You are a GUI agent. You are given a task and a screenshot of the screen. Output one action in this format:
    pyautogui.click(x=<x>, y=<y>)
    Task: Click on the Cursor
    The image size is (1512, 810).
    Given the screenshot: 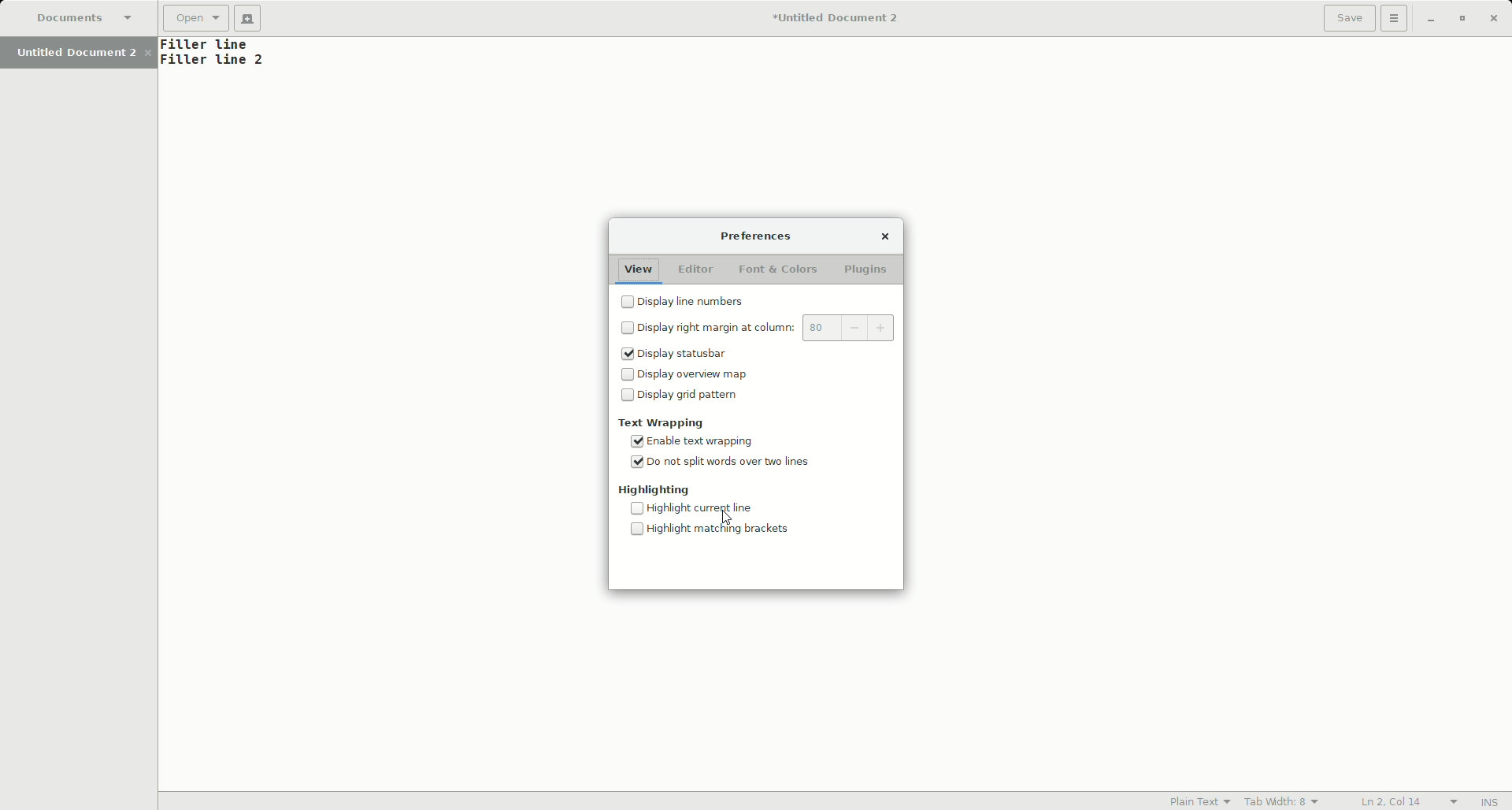 What is the action you would take?
    pyautogui.click(x=729, y=517)
    